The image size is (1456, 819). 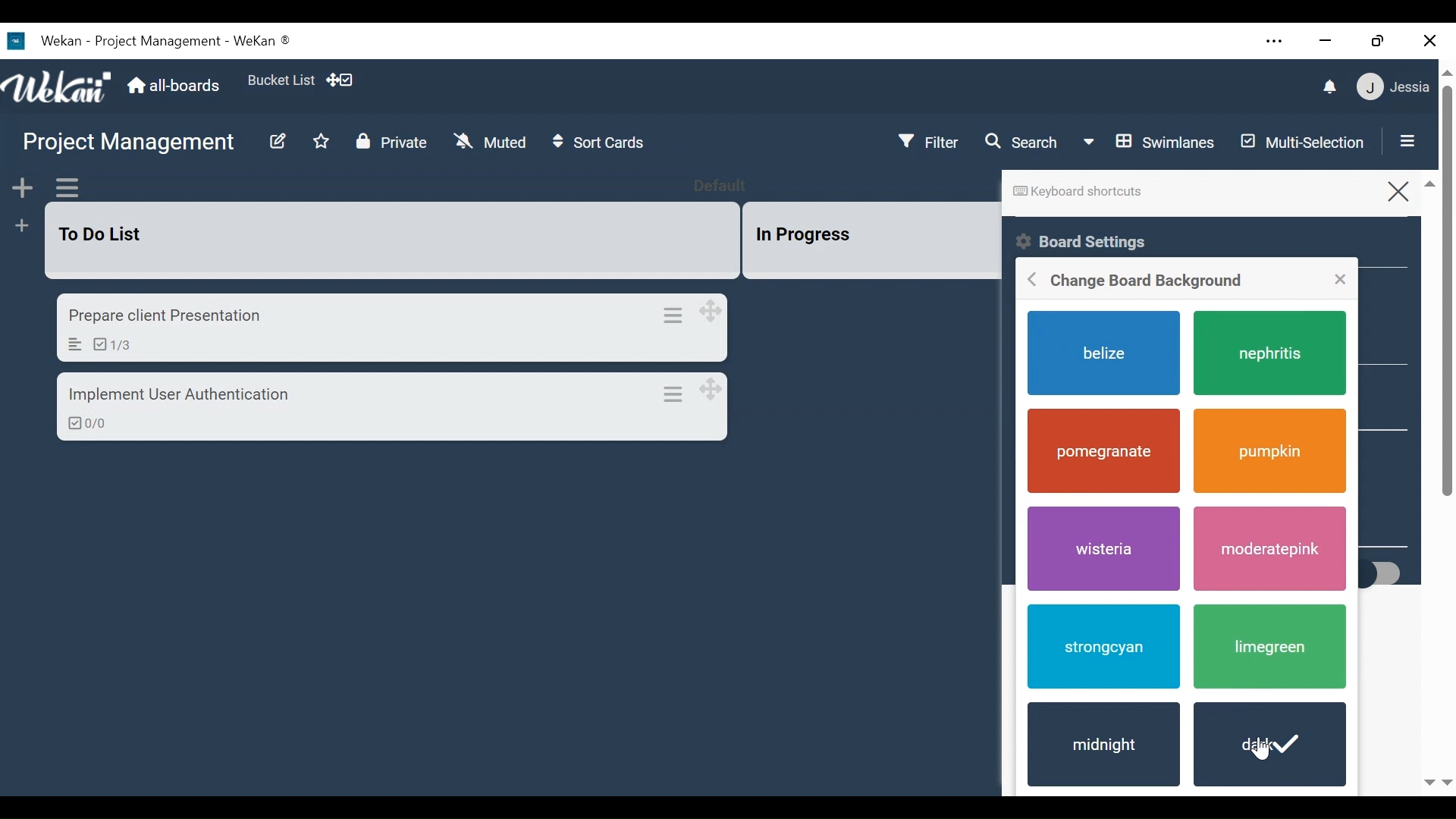 I want to click on restore, so click(x=1379, y=41).